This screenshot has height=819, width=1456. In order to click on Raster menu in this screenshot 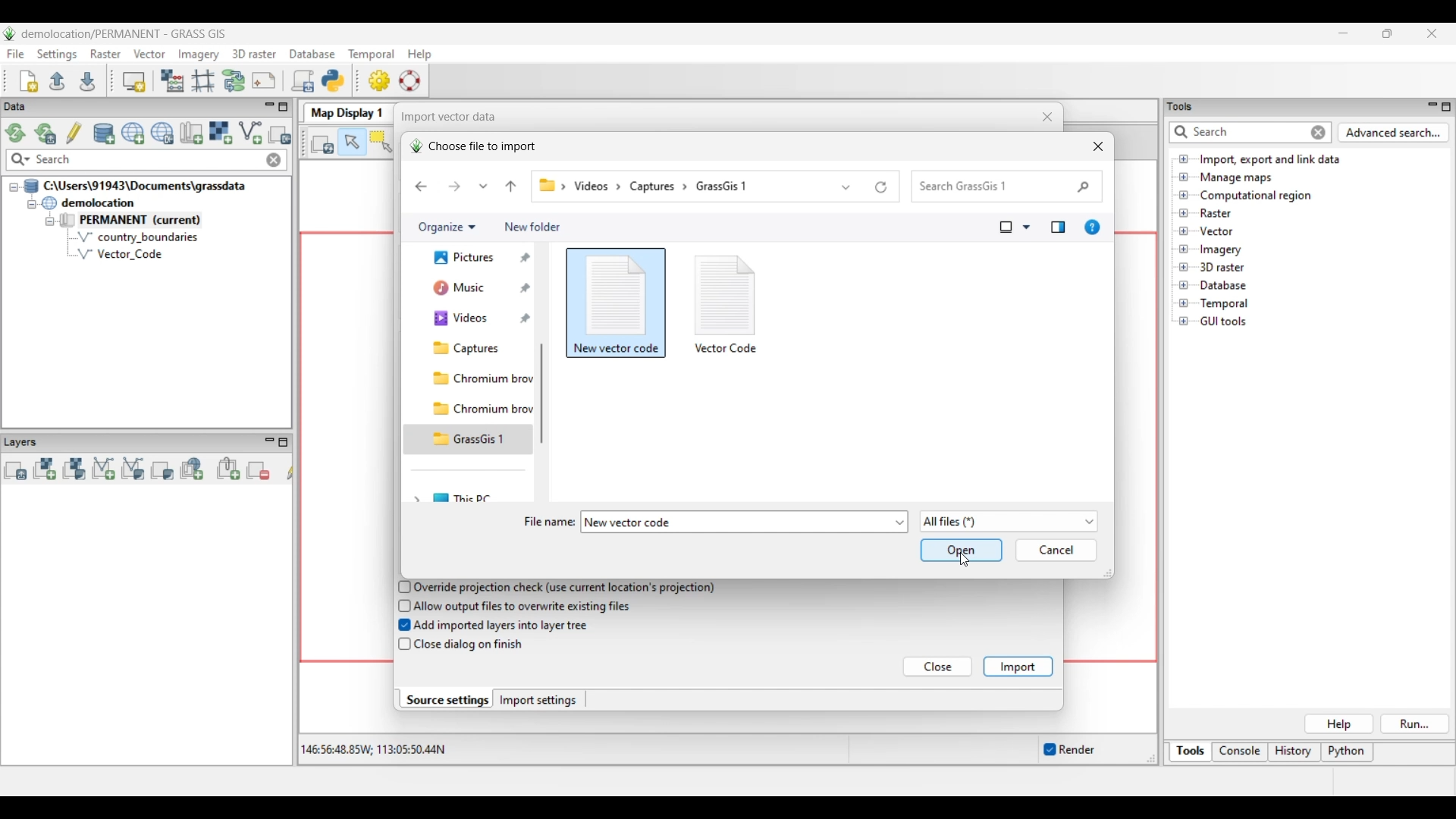, I will do `click(105, 54)`.